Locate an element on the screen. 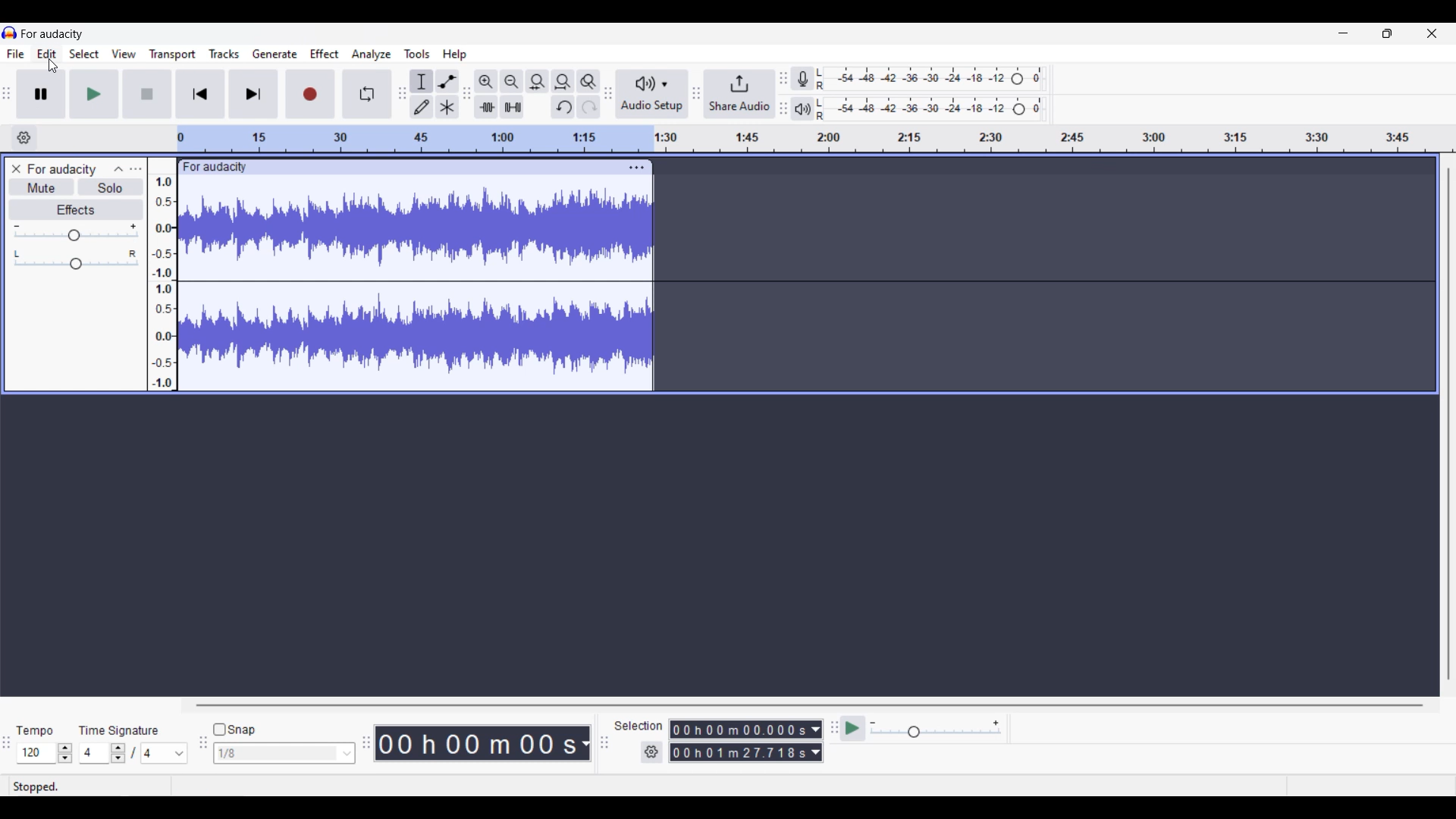 This screenshot has height=819, width=1456. View menu is located at coordinates (123, 53).